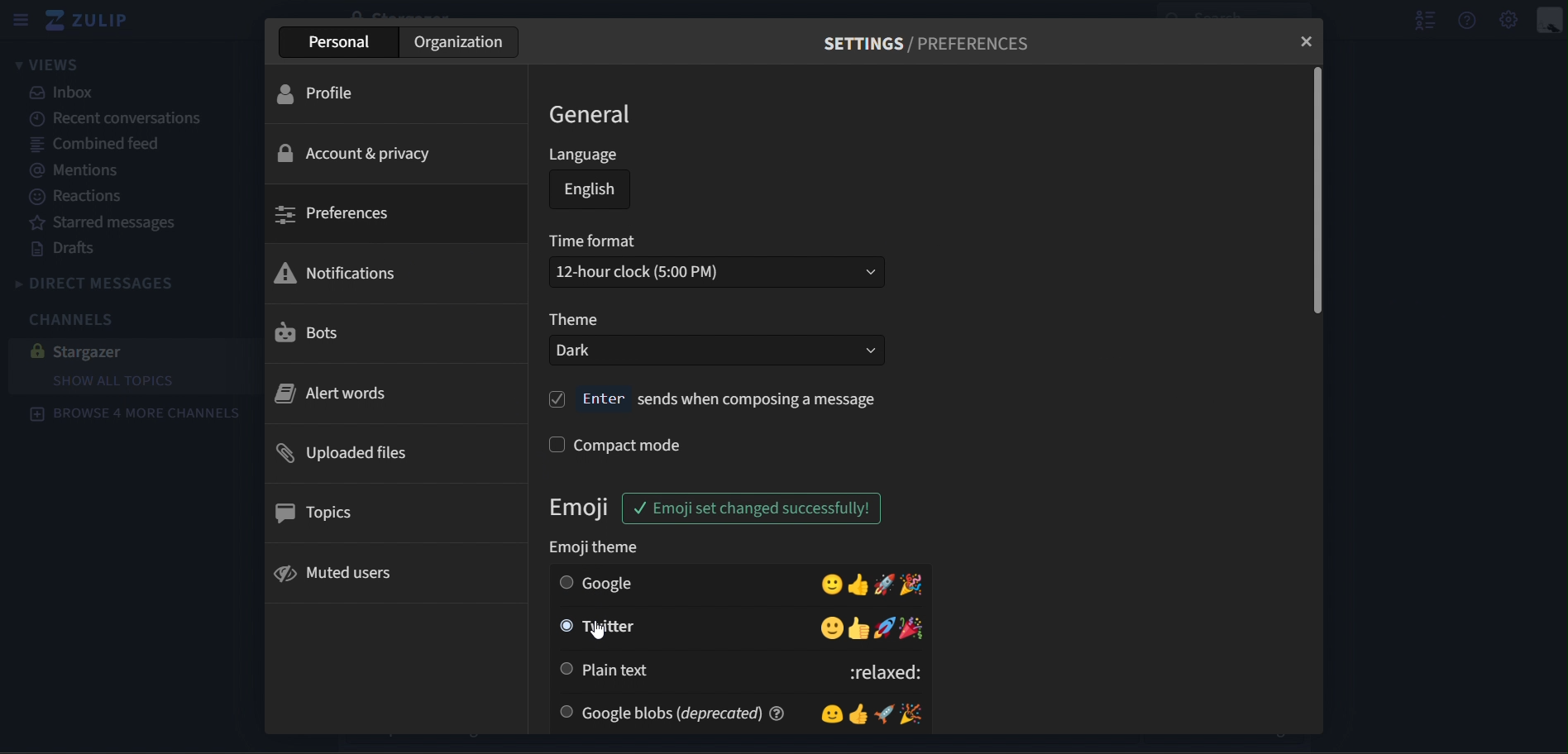 This screenshot has height=754, width=1568. What do you see at coordinates (48, 64) in the screenshot?
I see `views` at bounding box center [48, 64].